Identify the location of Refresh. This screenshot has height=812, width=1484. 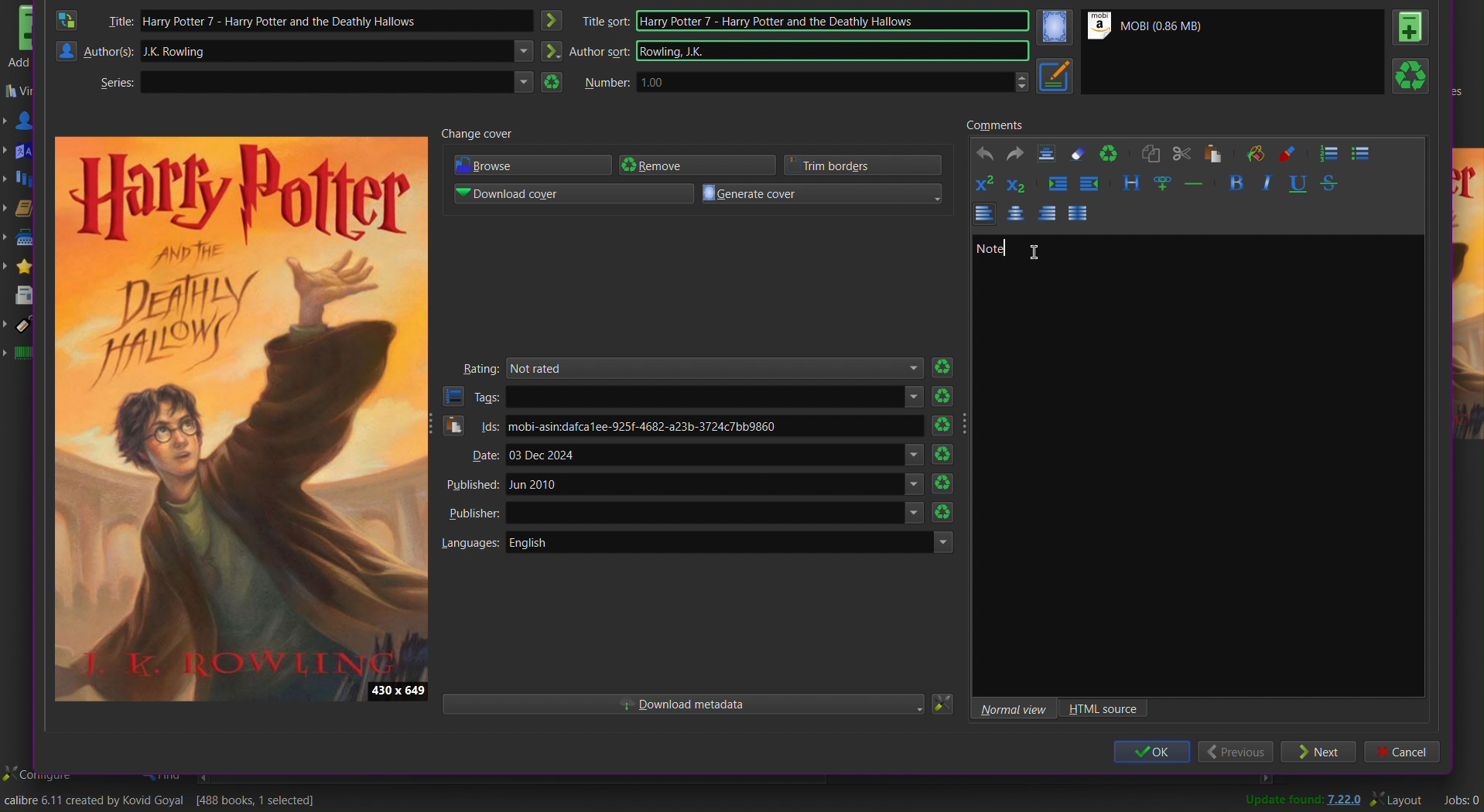
(947, 368).